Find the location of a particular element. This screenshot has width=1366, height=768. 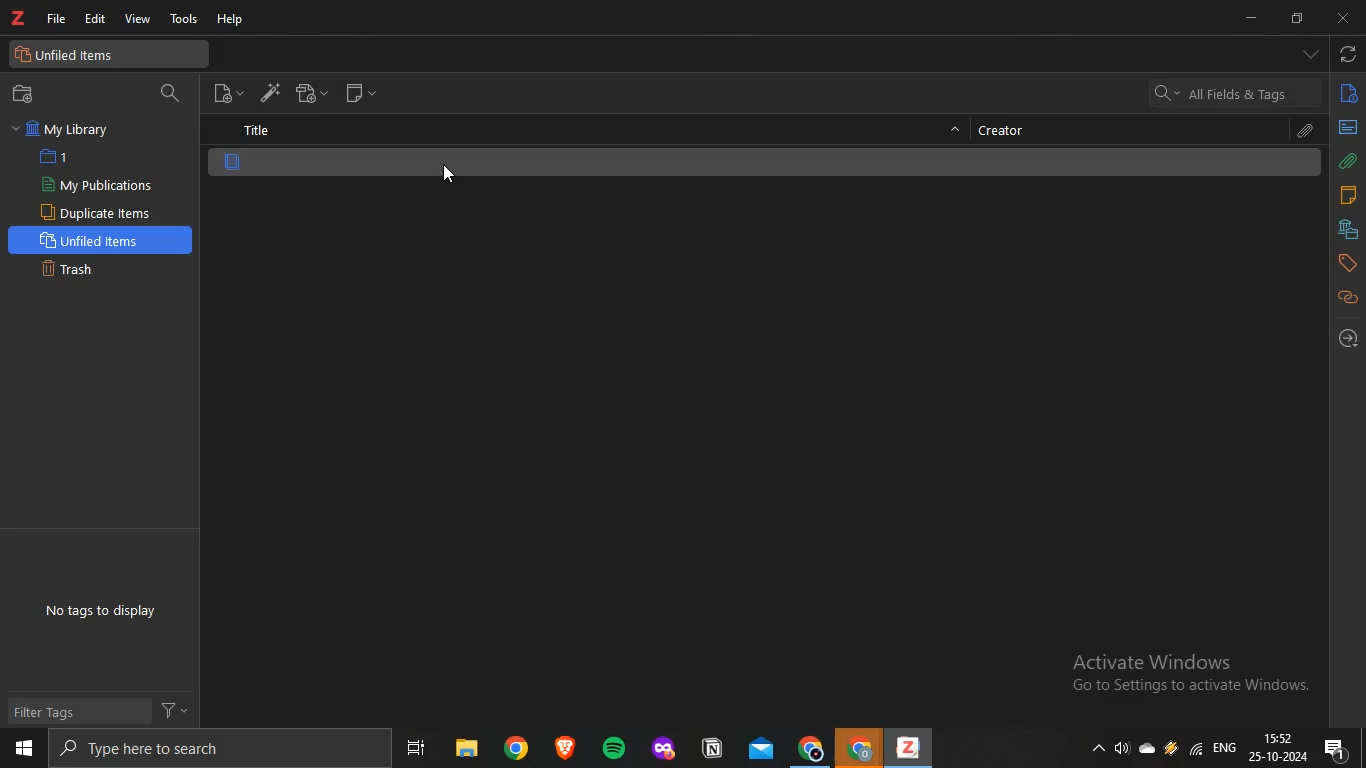

zotero is located at coordinates (905, 749).